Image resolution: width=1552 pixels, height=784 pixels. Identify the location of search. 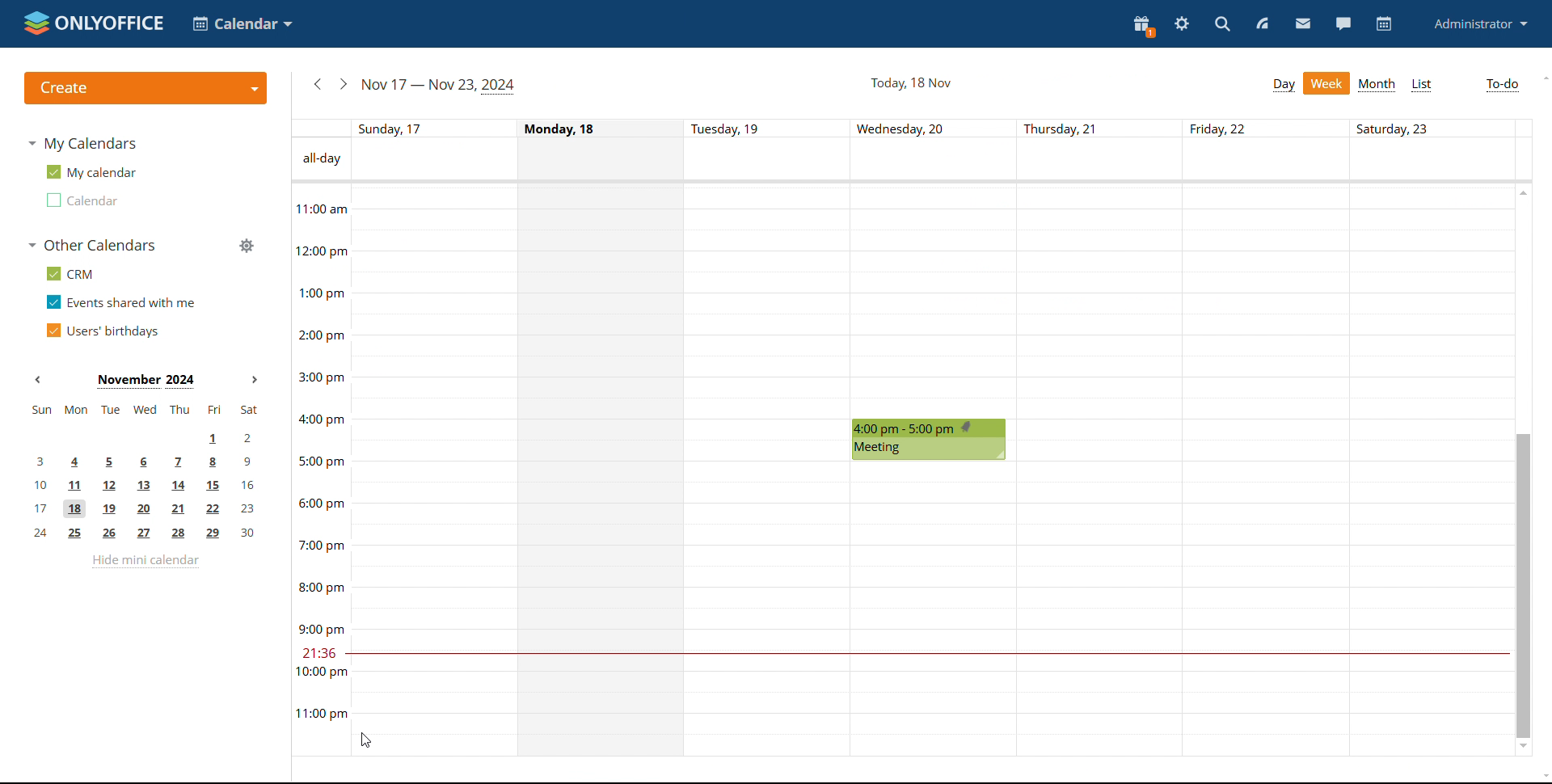
(1221, 24).